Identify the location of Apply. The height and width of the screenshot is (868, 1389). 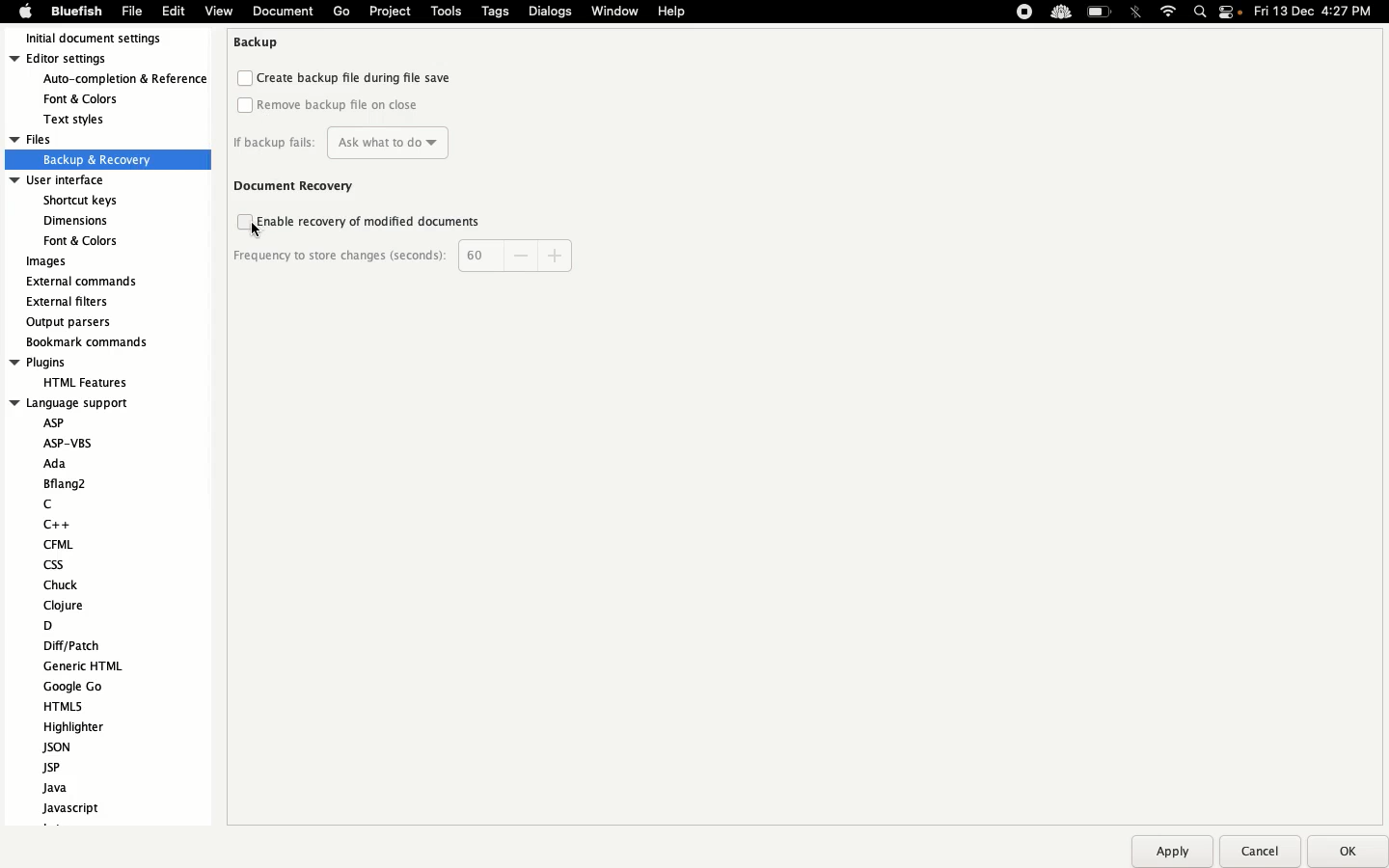
(1181, 849).